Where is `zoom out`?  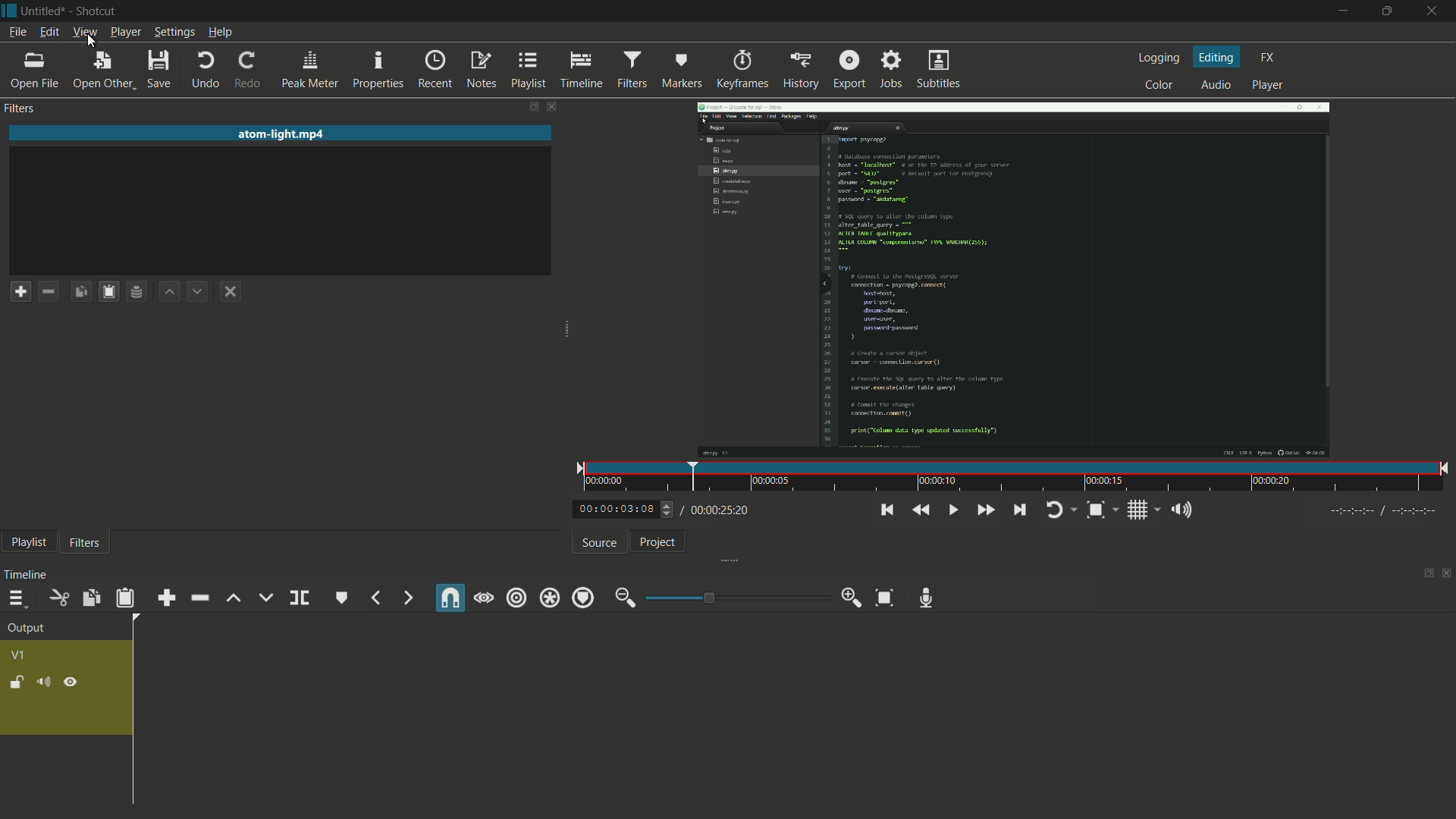
zoom out is located at coordinates (625, 599).